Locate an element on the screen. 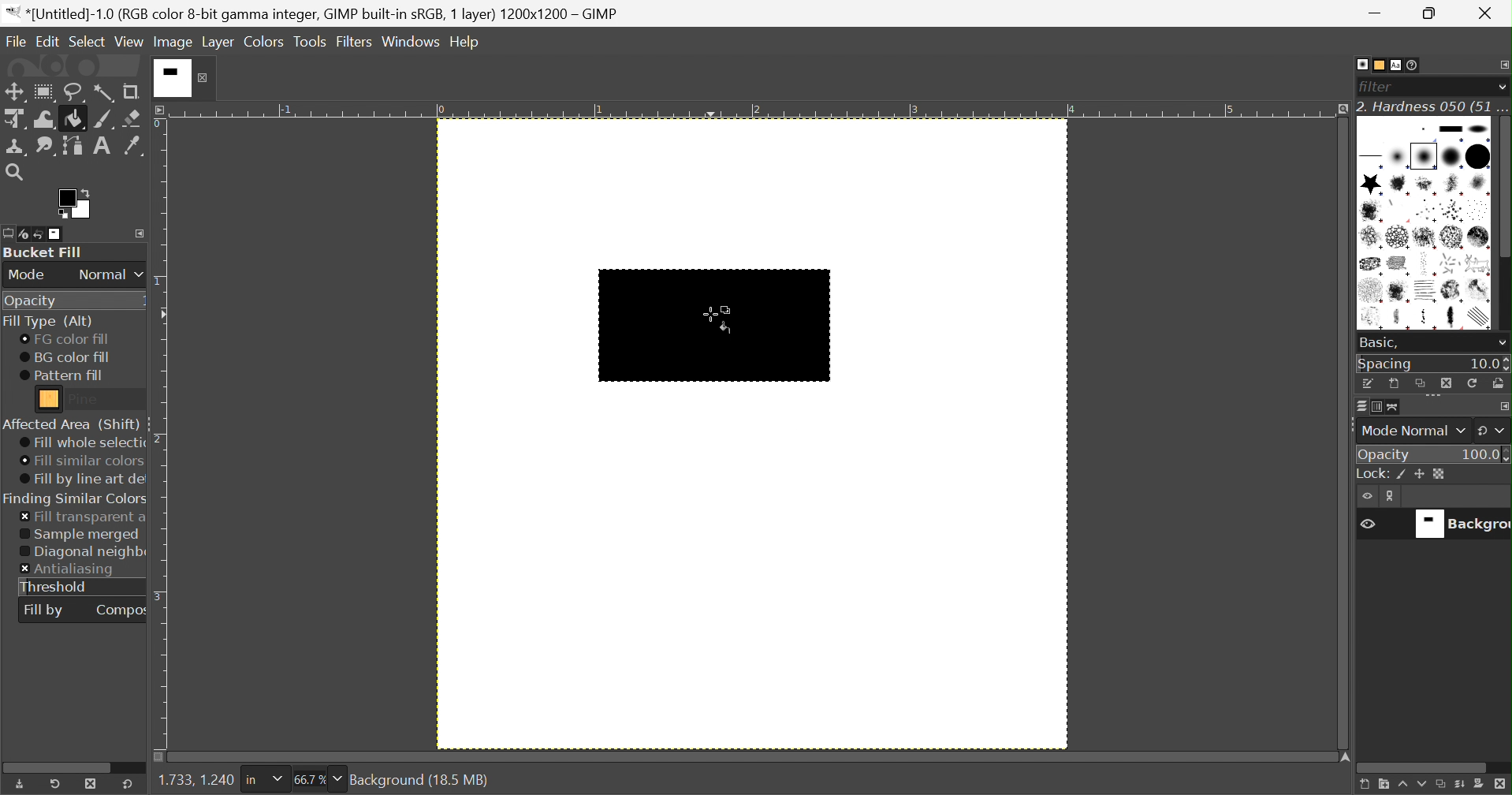  Document History is located at coordinates (1413, 65).